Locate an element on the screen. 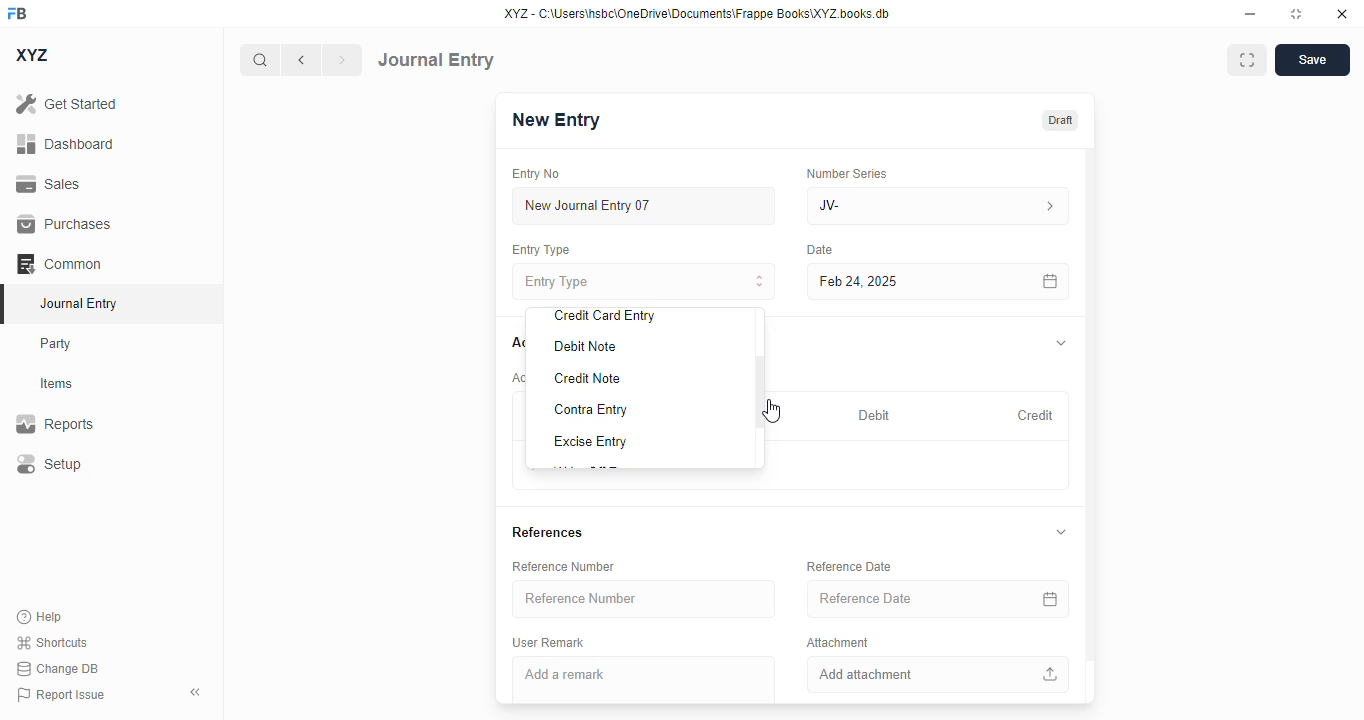  minimize is located at coordinates (1251, 14).